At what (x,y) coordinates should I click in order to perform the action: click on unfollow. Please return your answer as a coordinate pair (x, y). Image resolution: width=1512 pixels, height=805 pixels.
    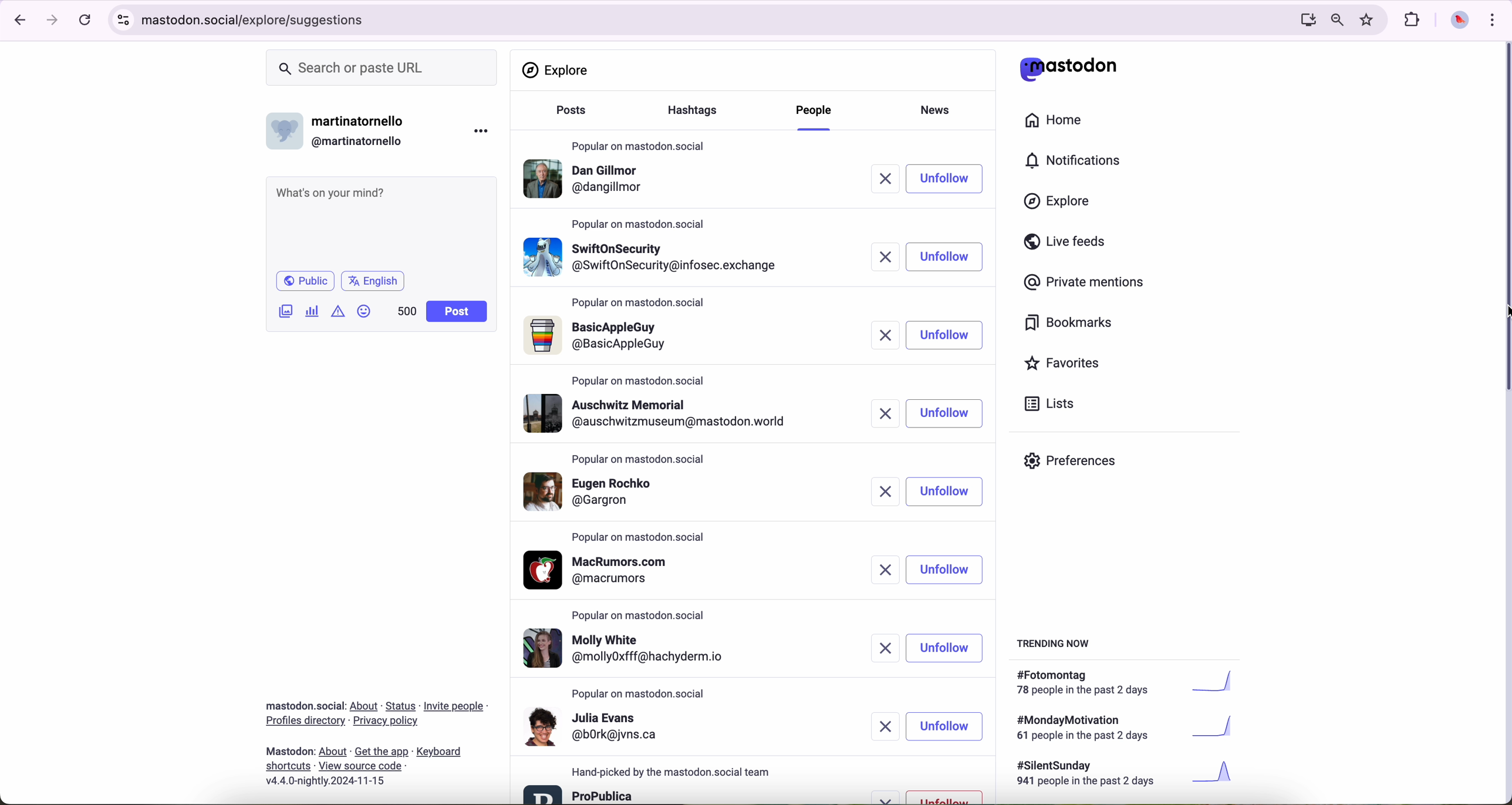
    Looking at the image, I should click on (946, 413).